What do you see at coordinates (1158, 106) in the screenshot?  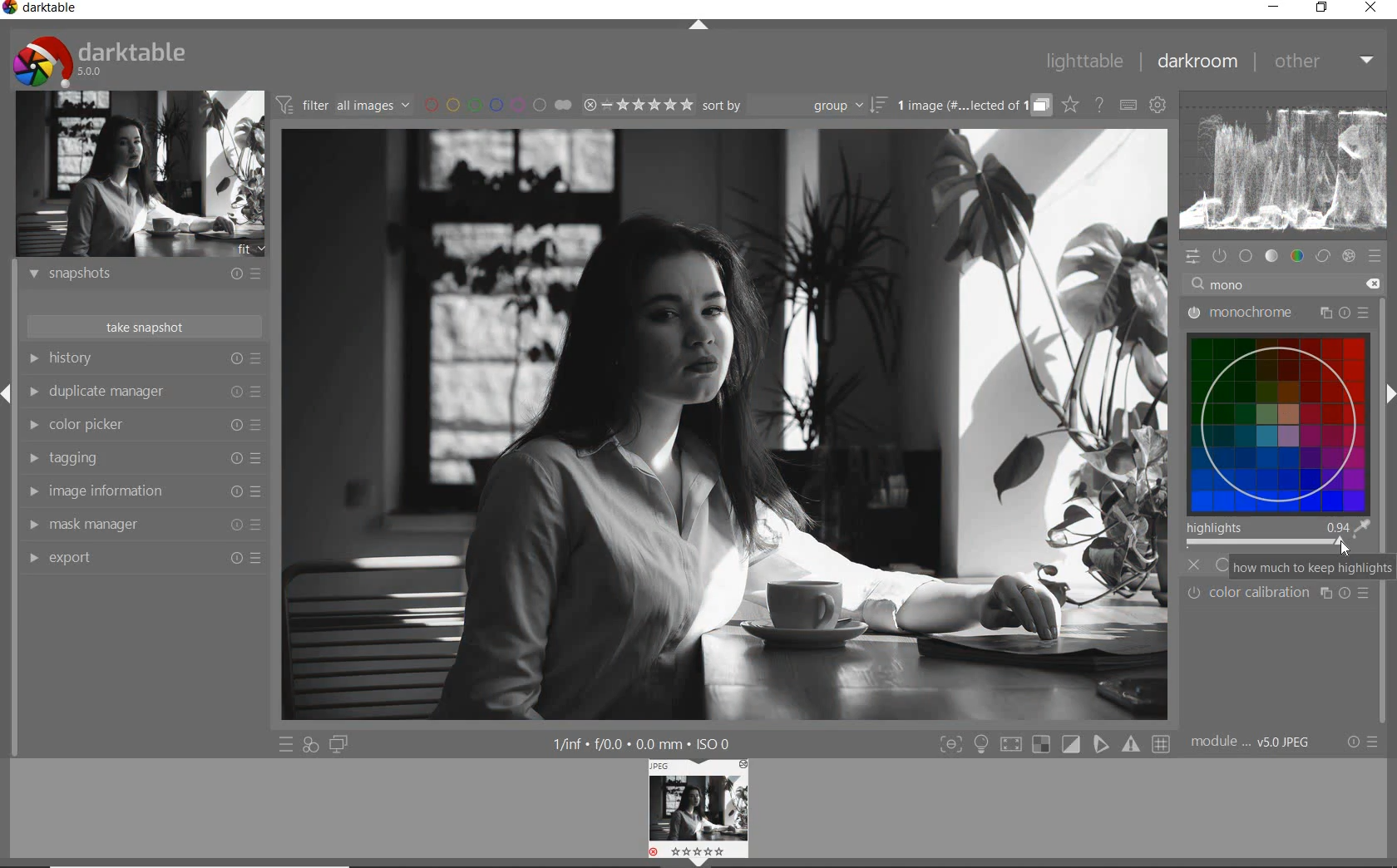 I see `show global preferences` at bounding box center [1158, 106].